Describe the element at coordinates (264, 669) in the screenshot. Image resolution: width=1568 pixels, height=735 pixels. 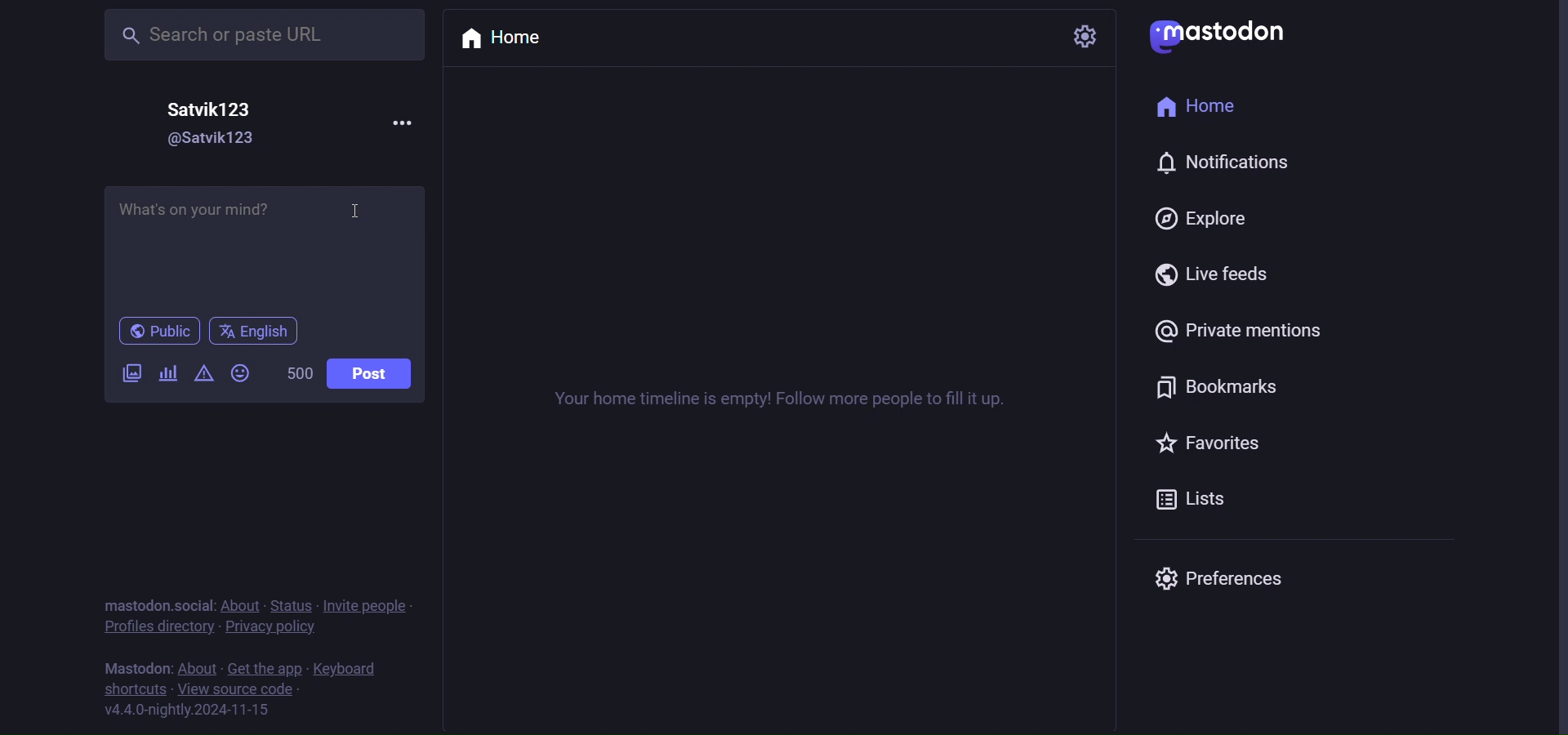
I see `get the app` at that location.